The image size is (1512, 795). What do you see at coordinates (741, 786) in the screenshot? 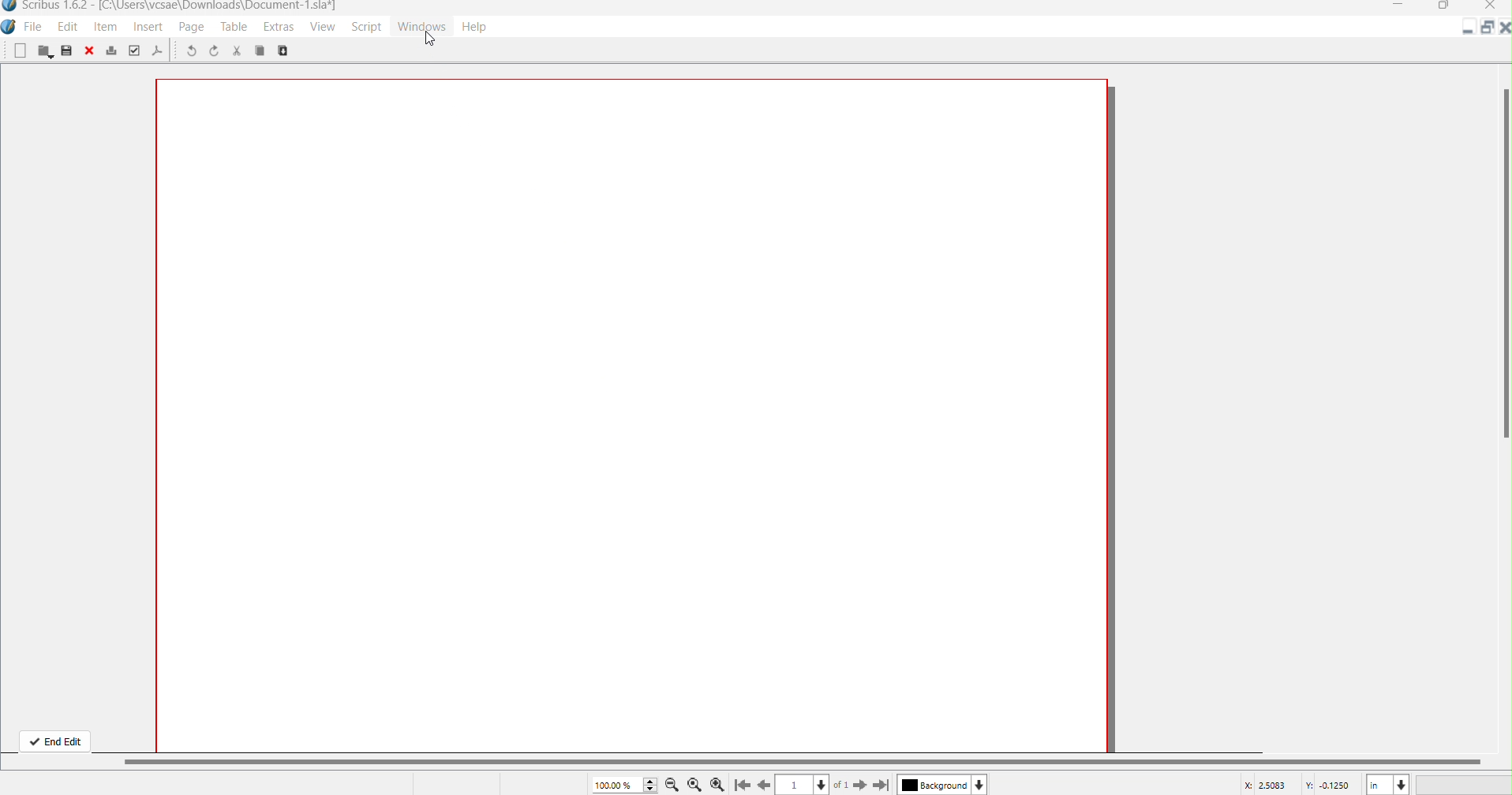
I see `go to top` at bounding box center [741, 786].